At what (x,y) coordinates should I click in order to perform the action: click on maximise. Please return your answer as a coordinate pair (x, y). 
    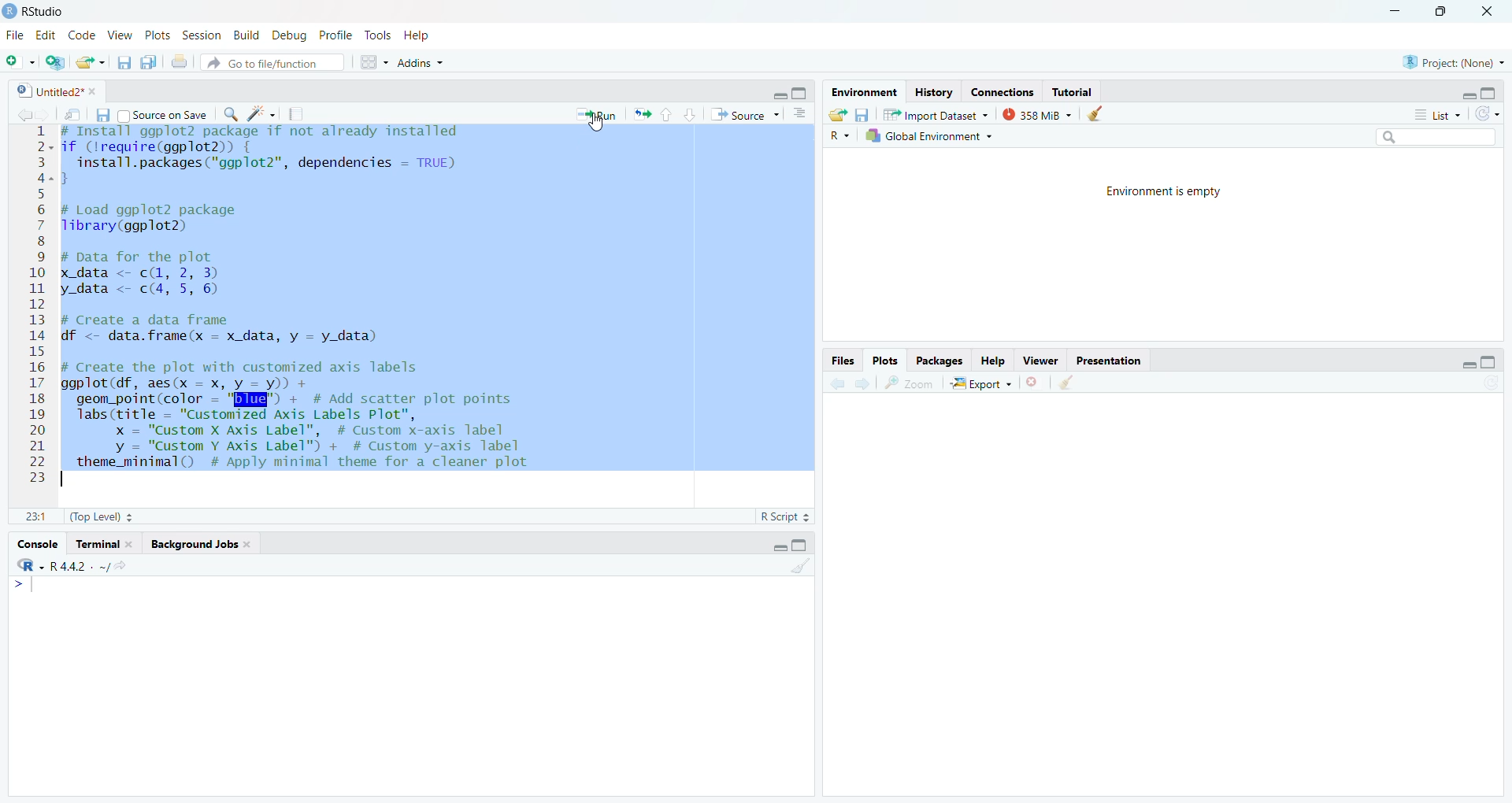
    Looking at the image, I should click on (1492, 361).